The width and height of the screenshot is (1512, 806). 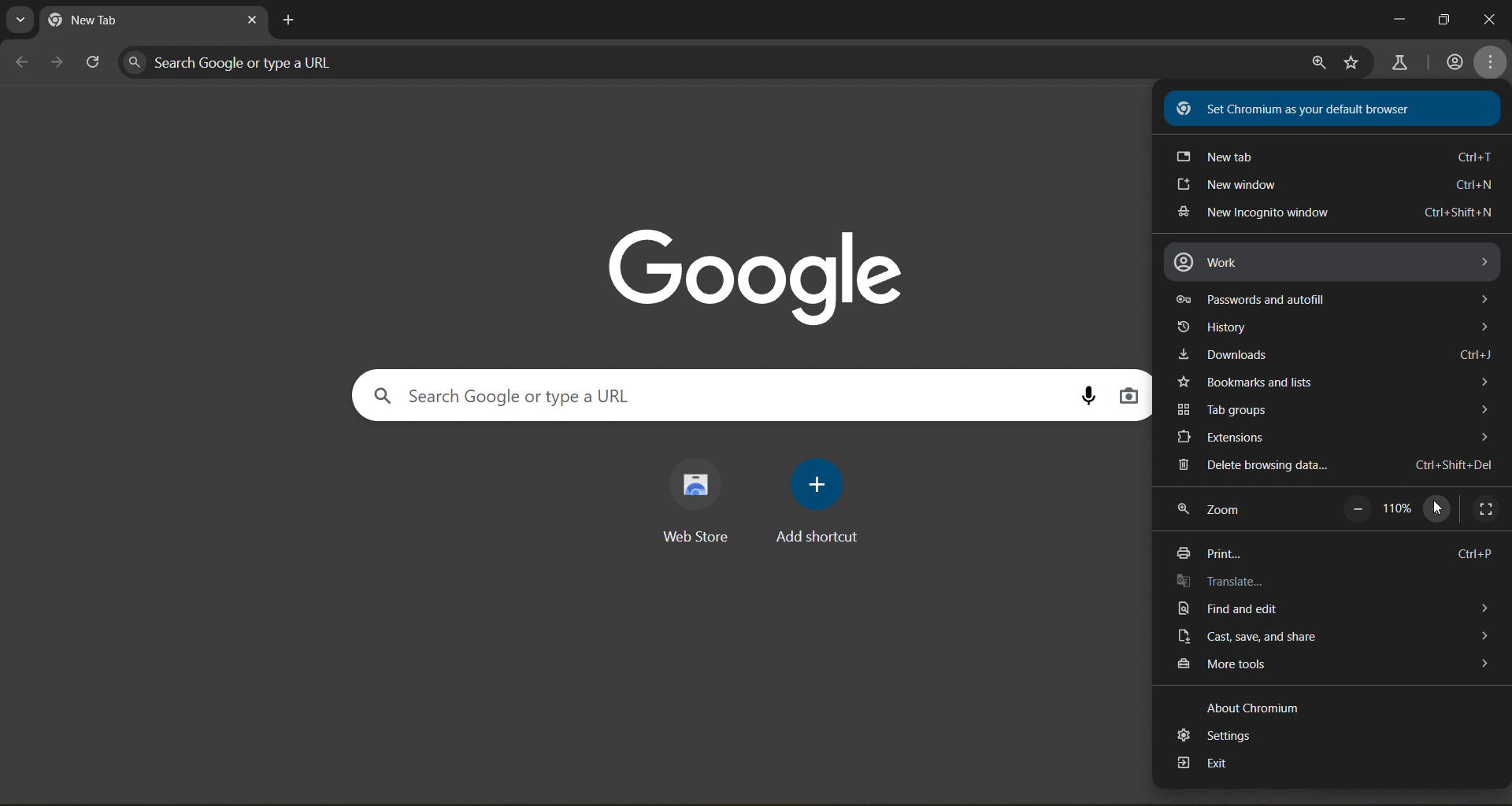 I want to click on new tab, so click(x=291, y=20).